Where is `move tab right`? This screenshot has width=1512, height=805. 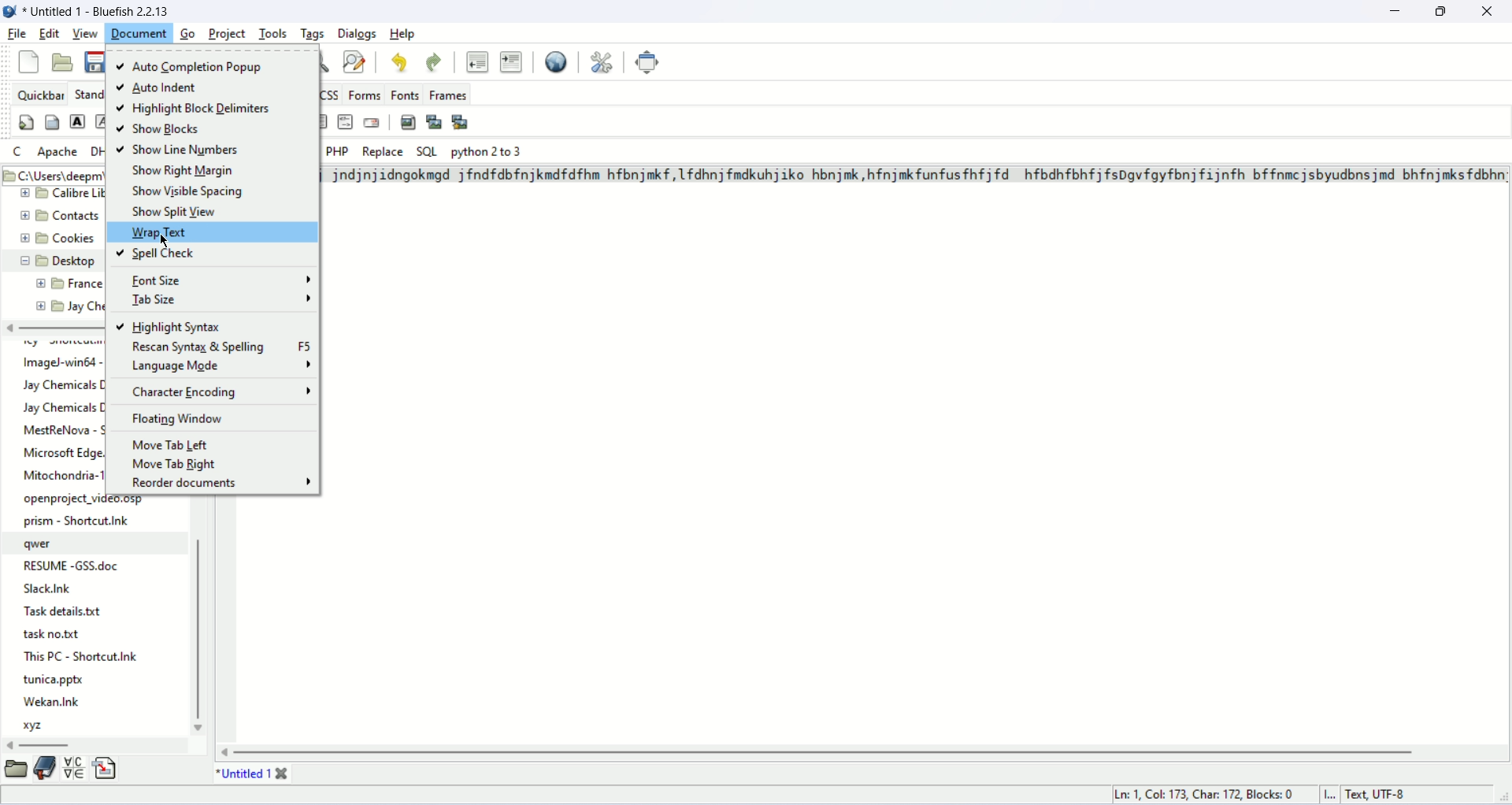 move tab right is located at coordinates (178, 465).